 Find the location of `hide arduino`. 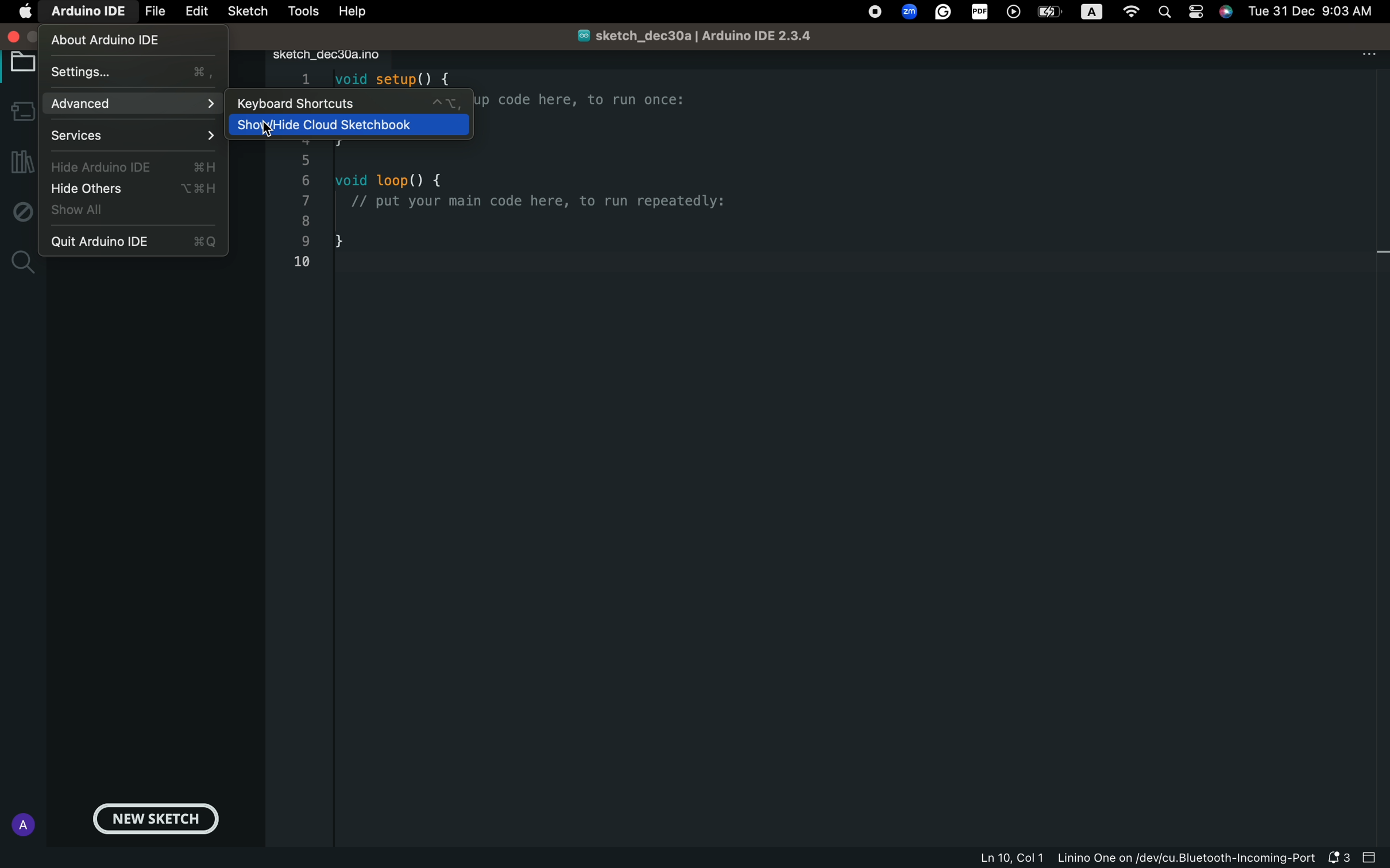

hide arduino is located at coordinates (133, 168).